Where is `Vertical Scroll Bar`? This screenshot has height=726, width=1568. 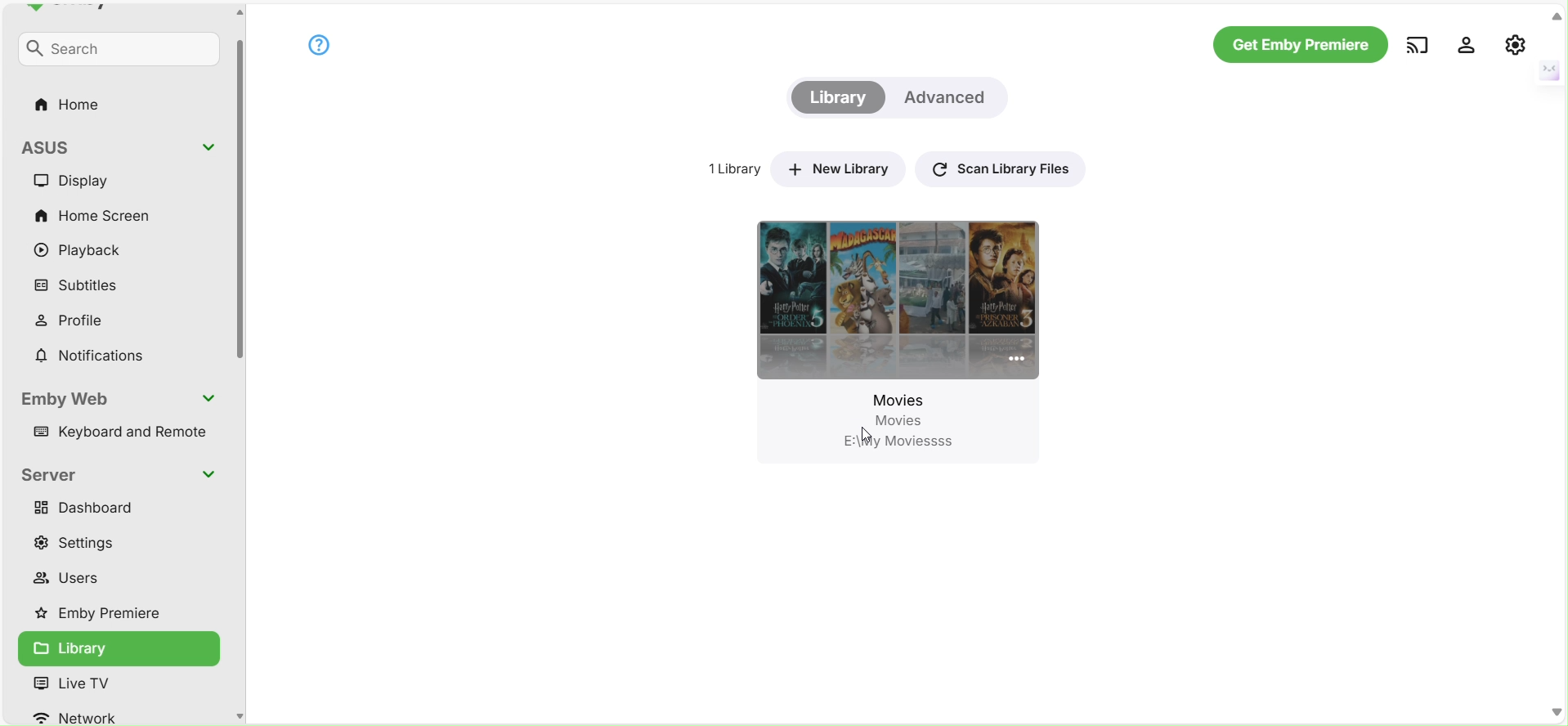 Vertical Scroll Bar is located at coordinates (240, 190).